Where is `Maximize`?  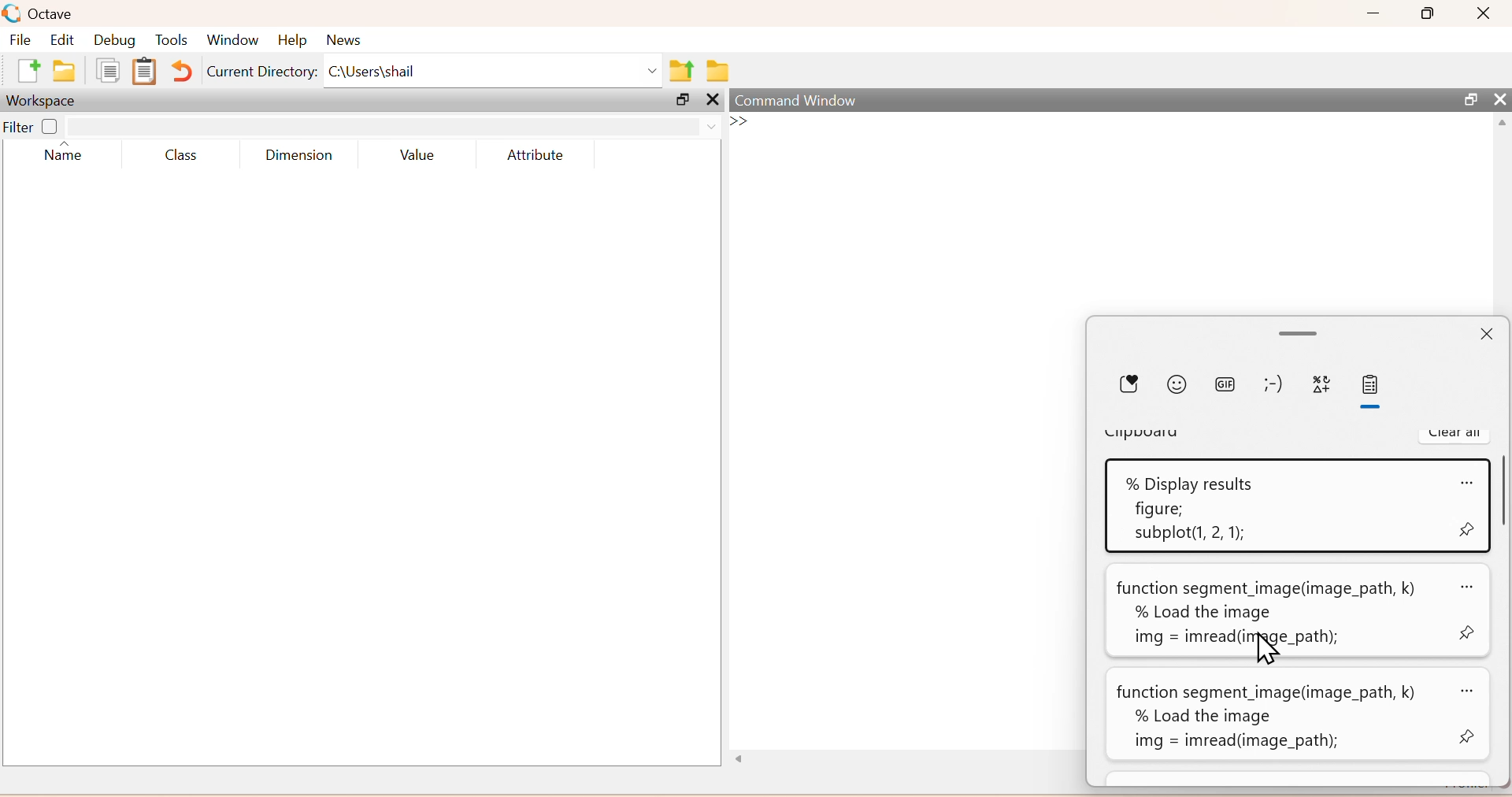
Maximize is located at coordinates (1468, 99).